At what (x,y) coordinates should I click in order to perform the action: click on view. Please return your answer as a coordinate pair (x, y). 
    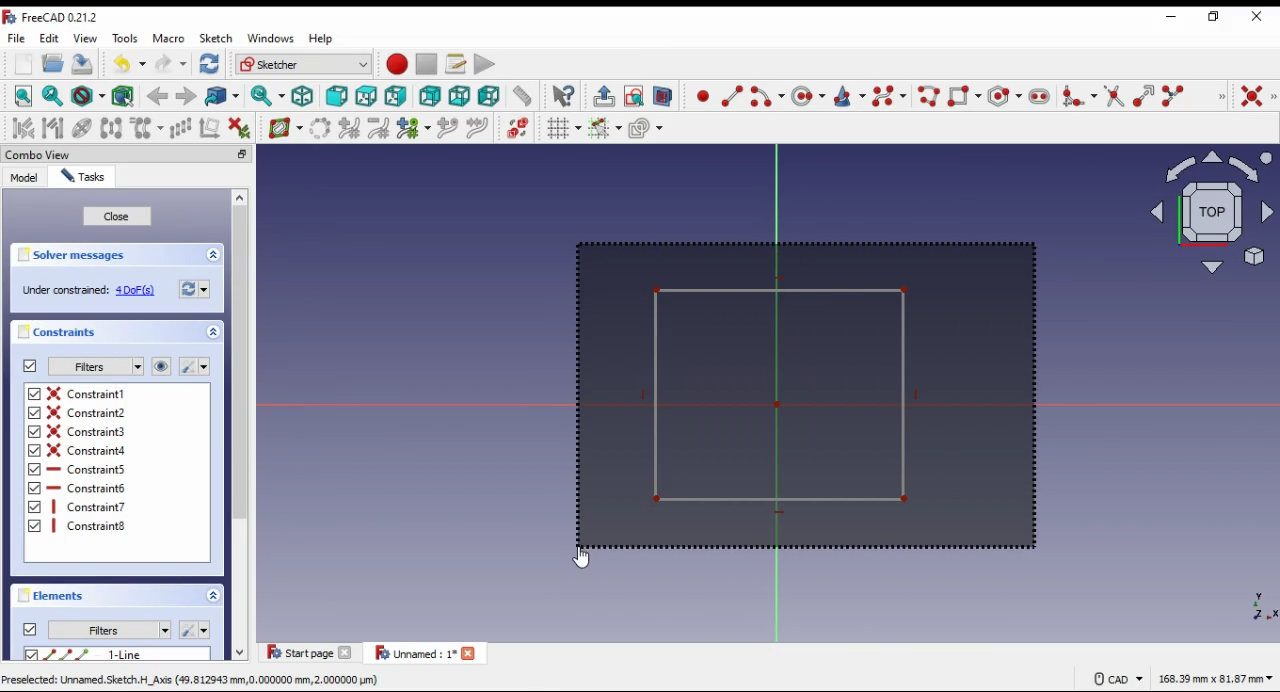
    Looking at the image, I should click on (87, 38).